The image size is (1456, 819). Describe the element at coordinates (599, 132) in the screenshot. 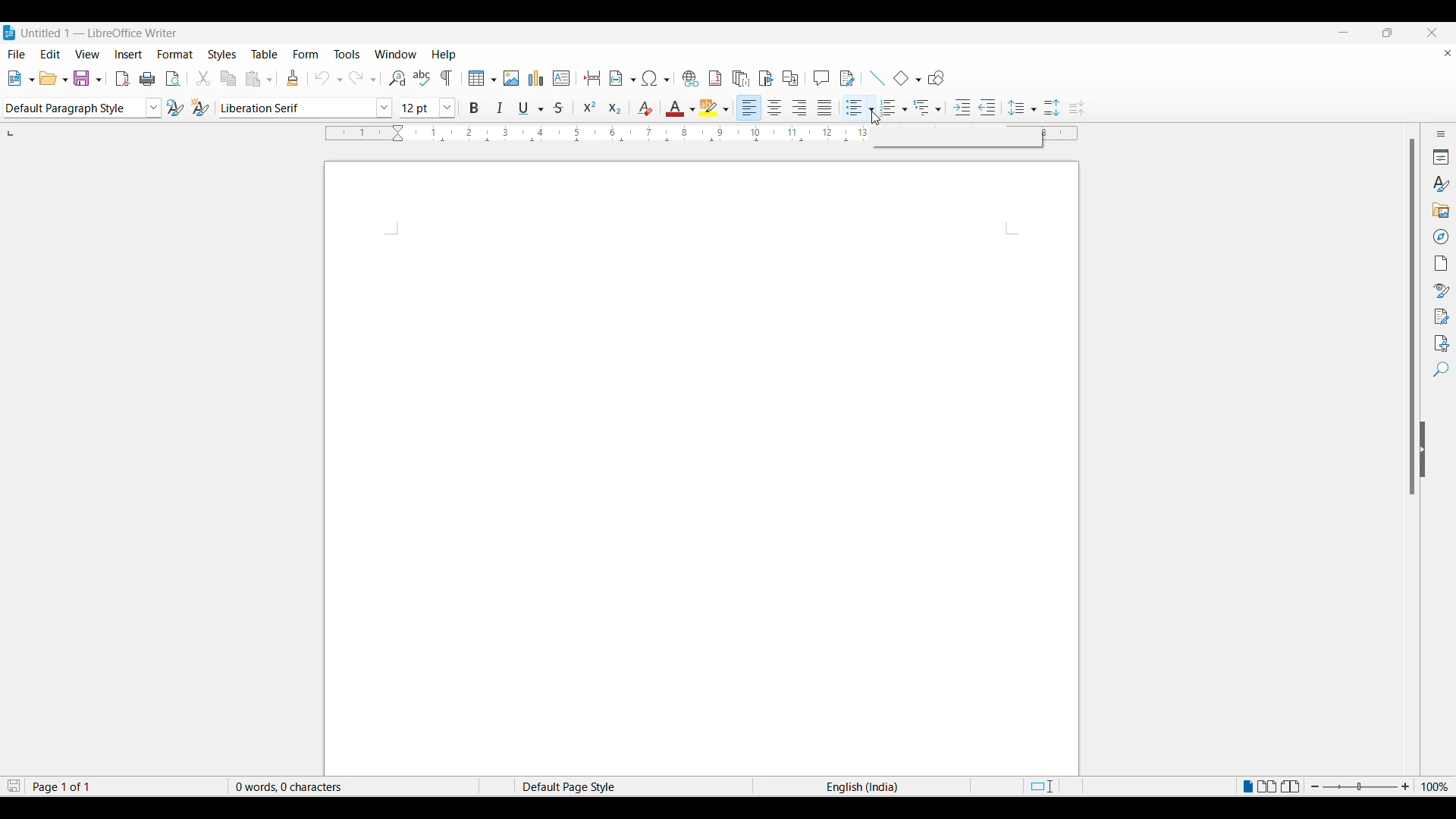

I see `Horizontal ruler` at that location.